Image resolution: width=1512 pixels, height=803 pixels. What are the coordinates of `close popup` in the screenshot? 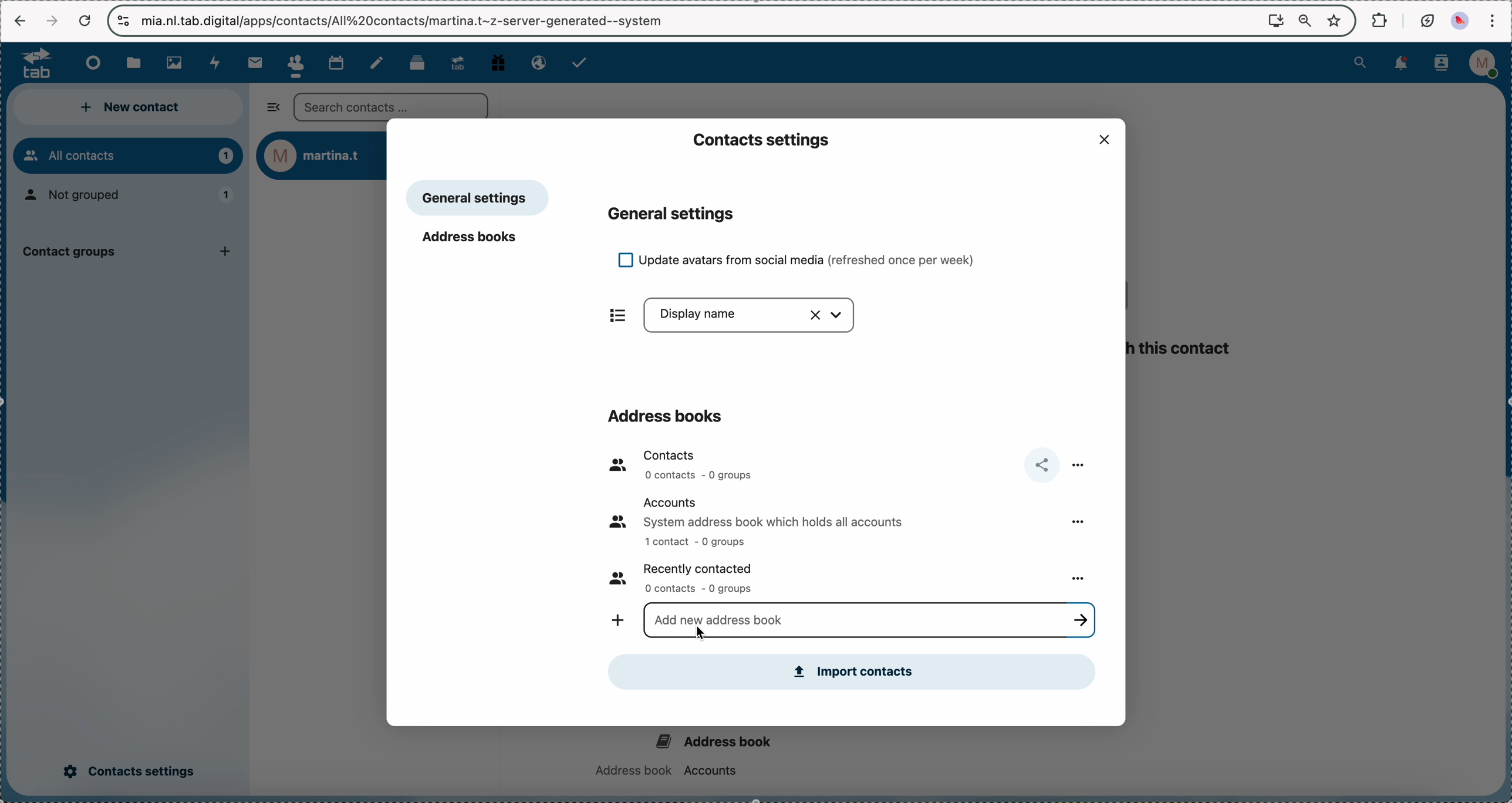 It's located at (1102, 139).